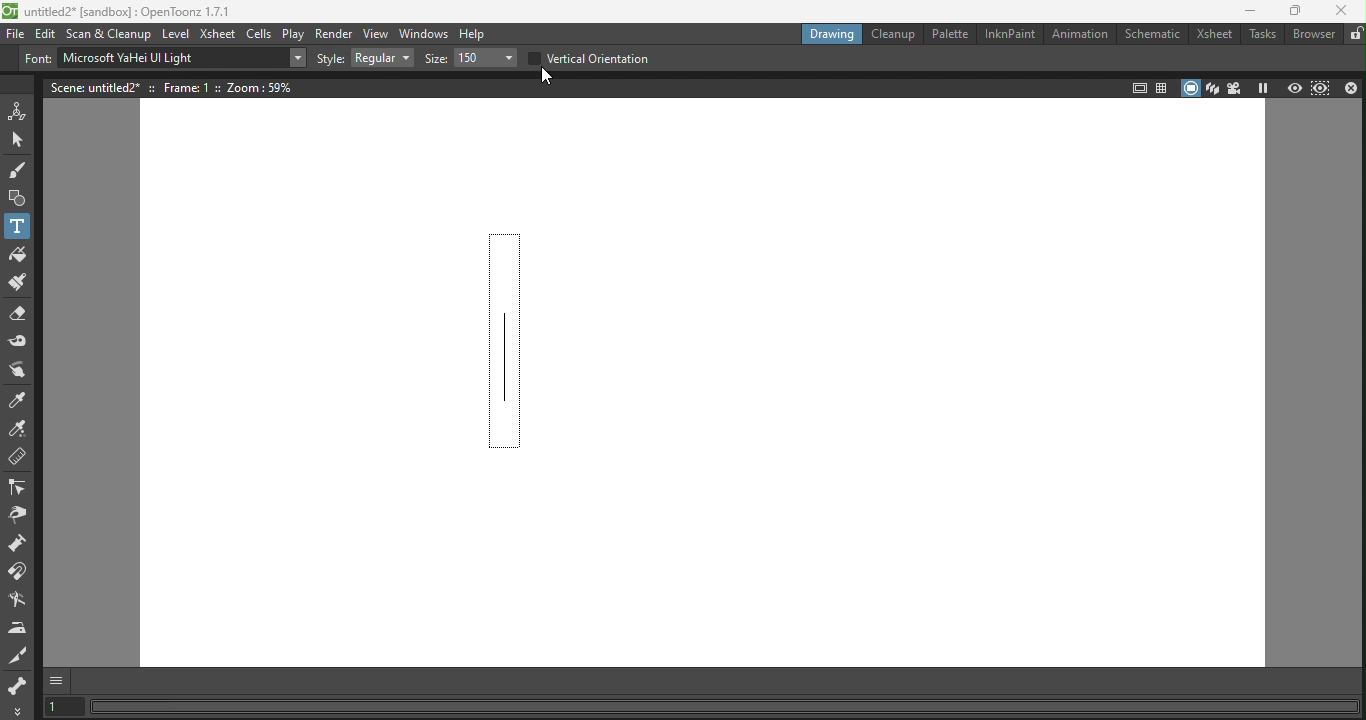  What do you see at coordinates (1137, 87) in the screenshot?
I see `Safe area` at bounding box center [1137, 87].